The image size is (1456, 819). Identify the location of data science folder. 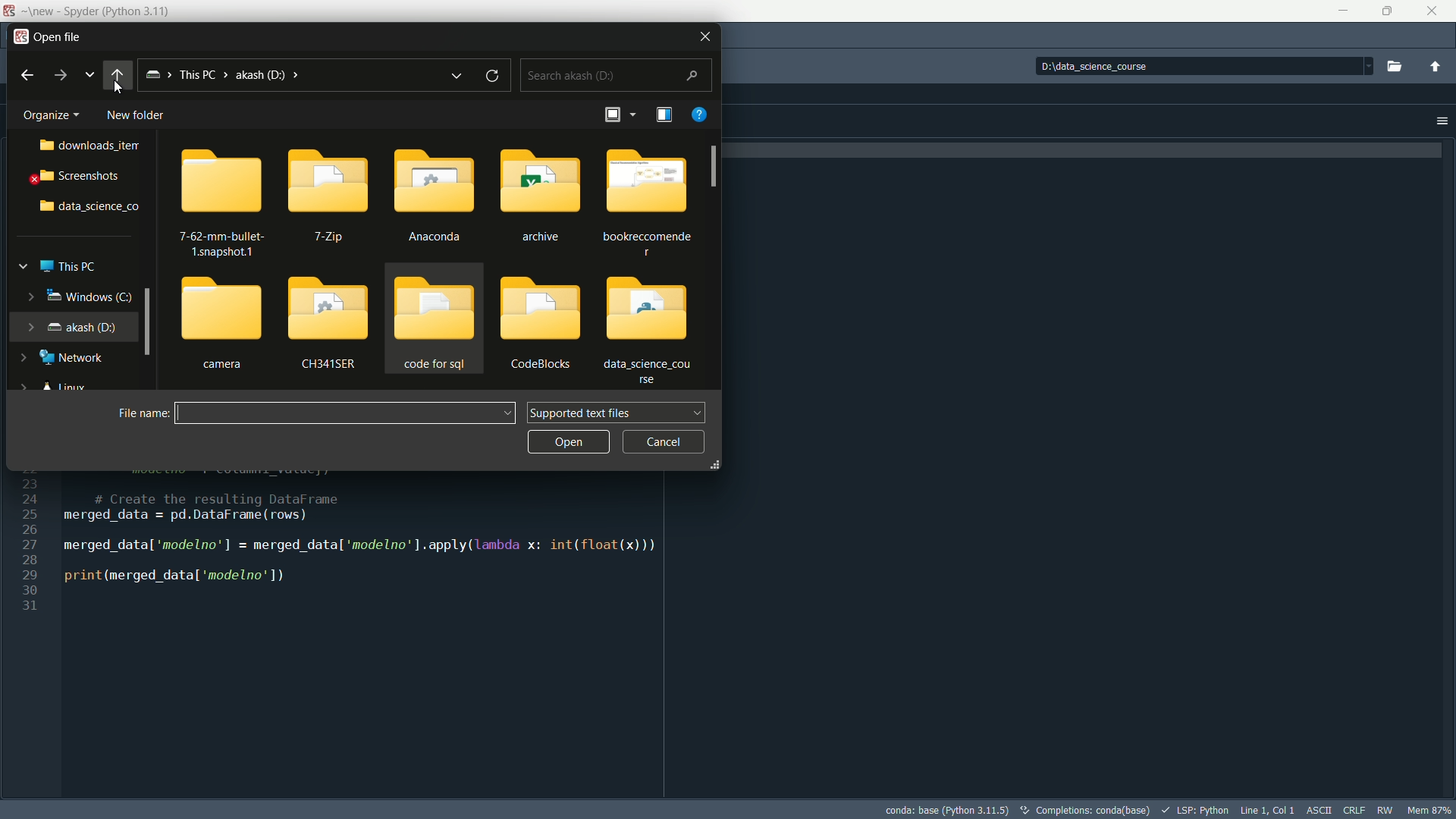
(86, 208).